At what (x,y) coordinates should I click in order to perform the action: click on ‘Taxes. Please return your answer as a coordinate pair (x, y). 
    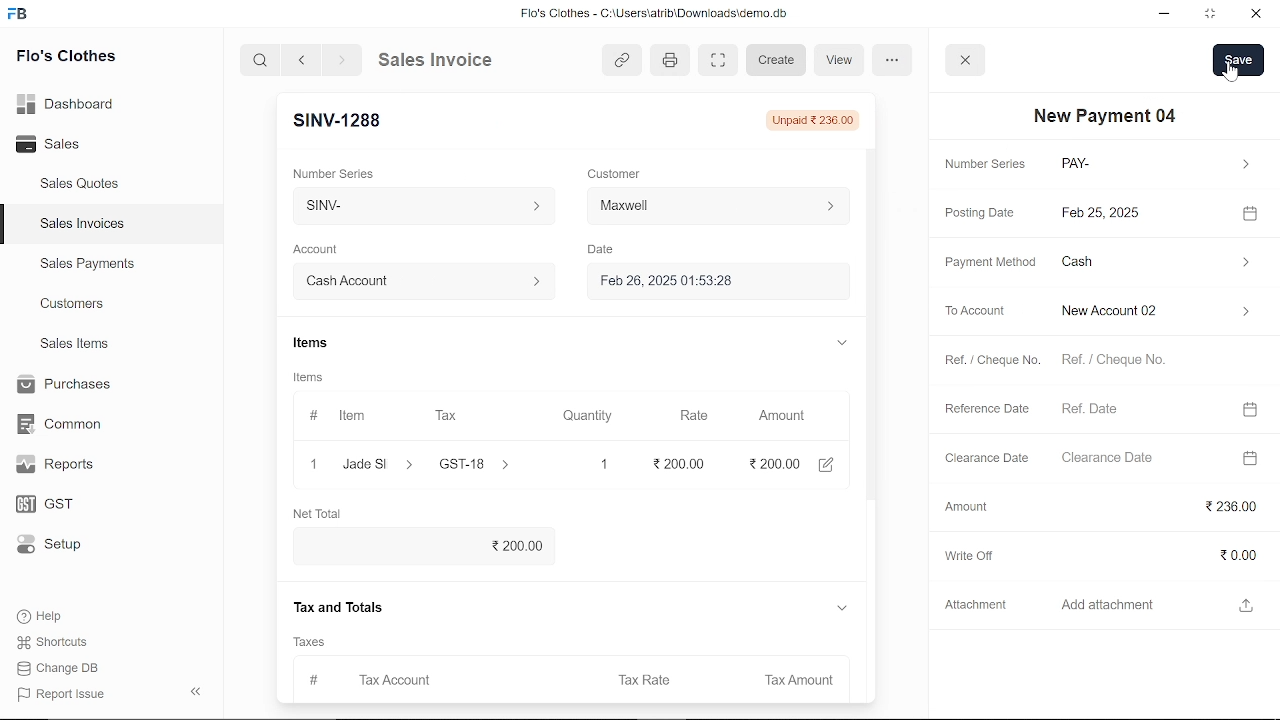
    Looking at the image, I should click on (314, 640).